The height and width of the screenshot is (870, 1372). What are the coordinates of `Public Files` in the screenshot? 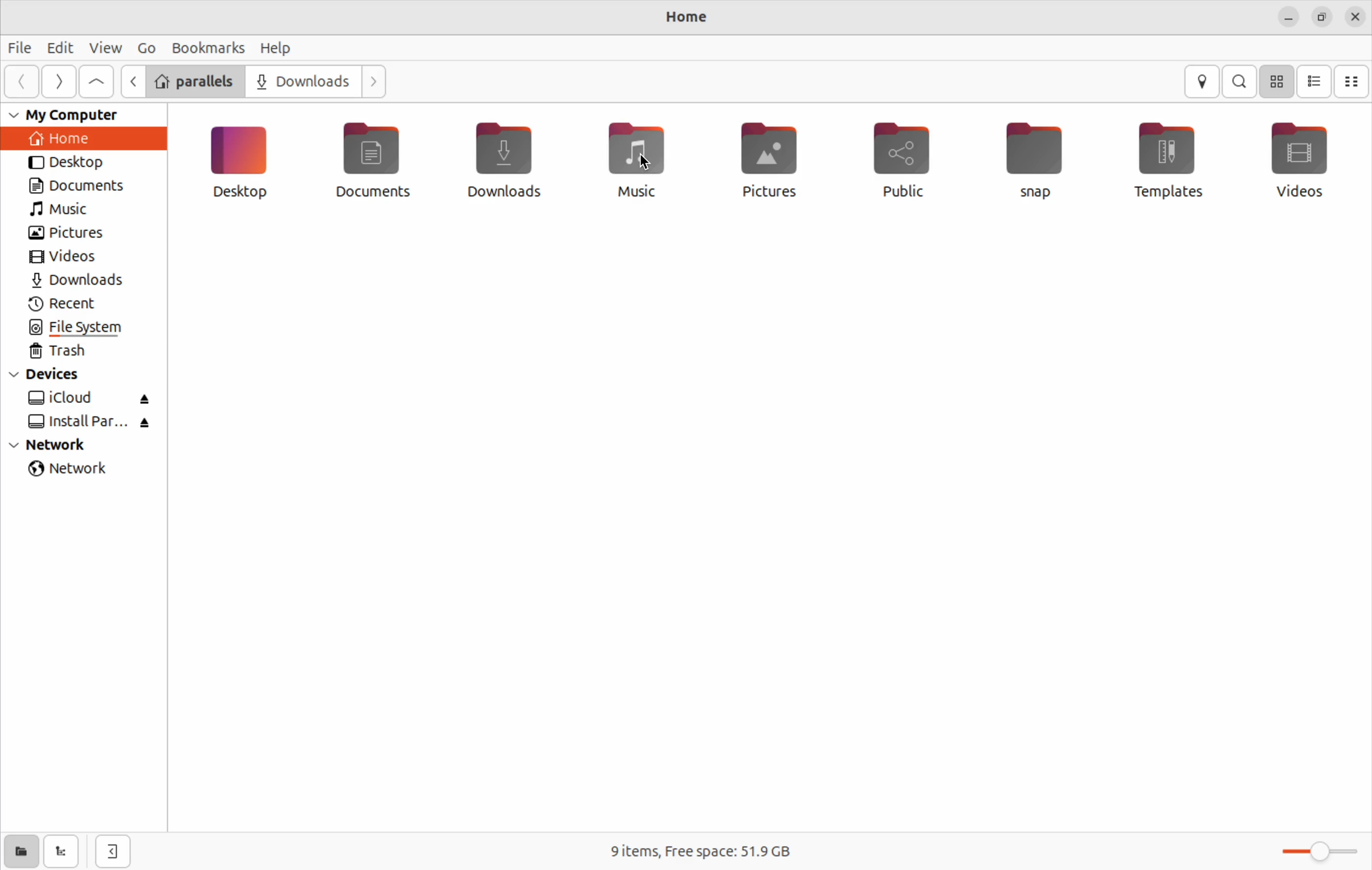 It's located at (894, 158).